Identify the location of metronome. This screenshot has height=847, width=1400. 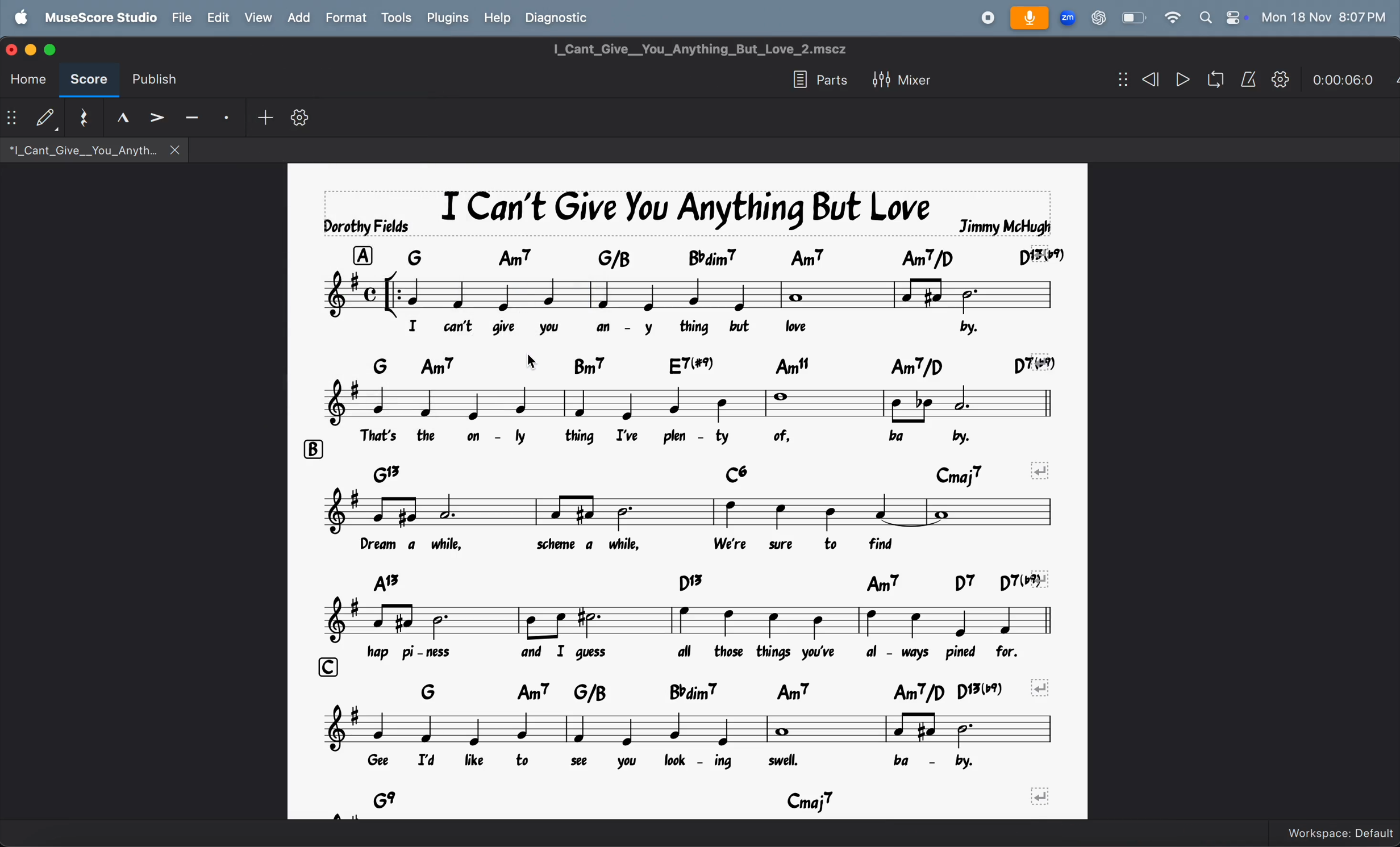
(1249, 81).